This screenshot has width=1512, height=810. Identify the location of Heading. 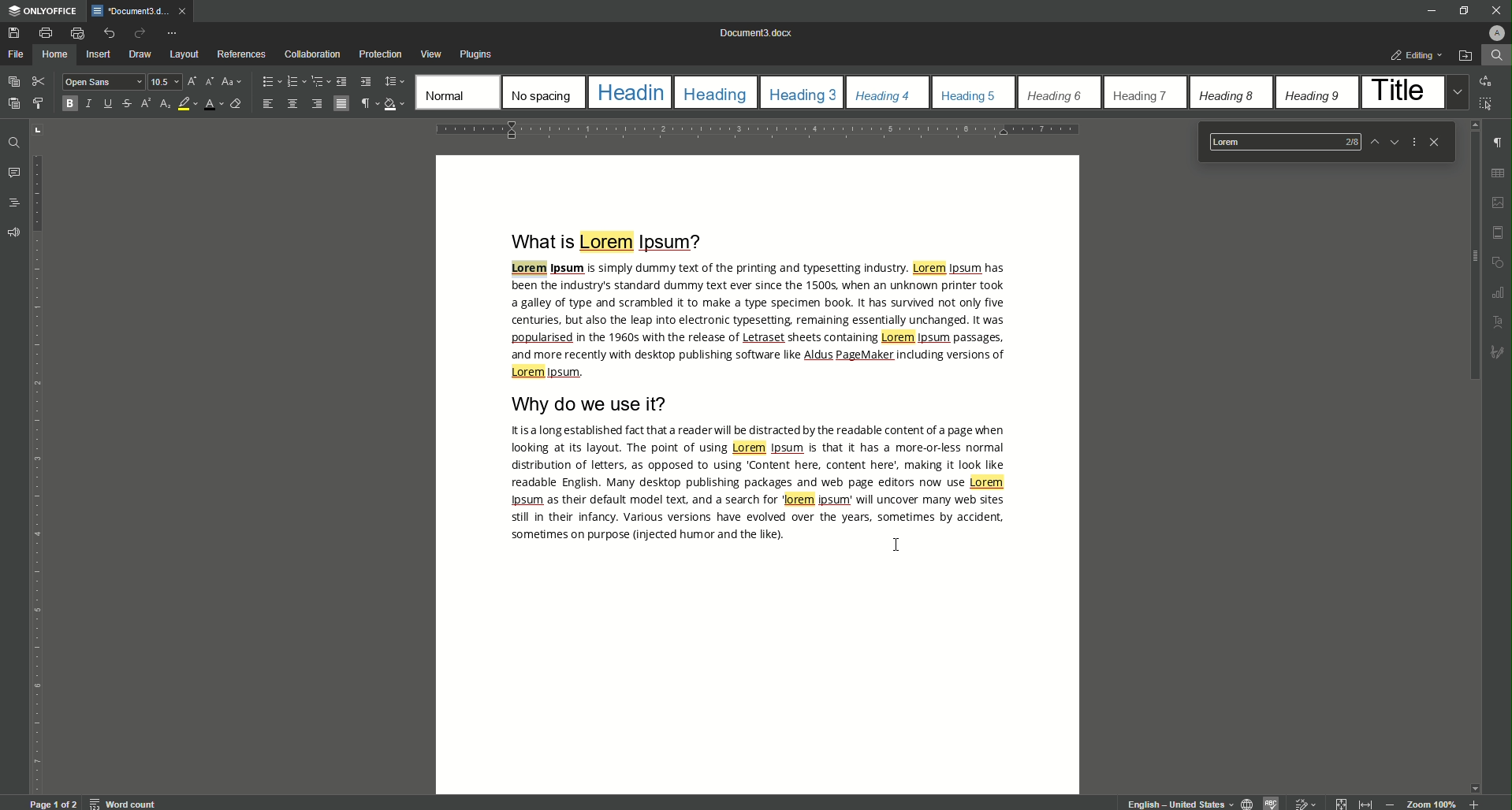
(714, 93).